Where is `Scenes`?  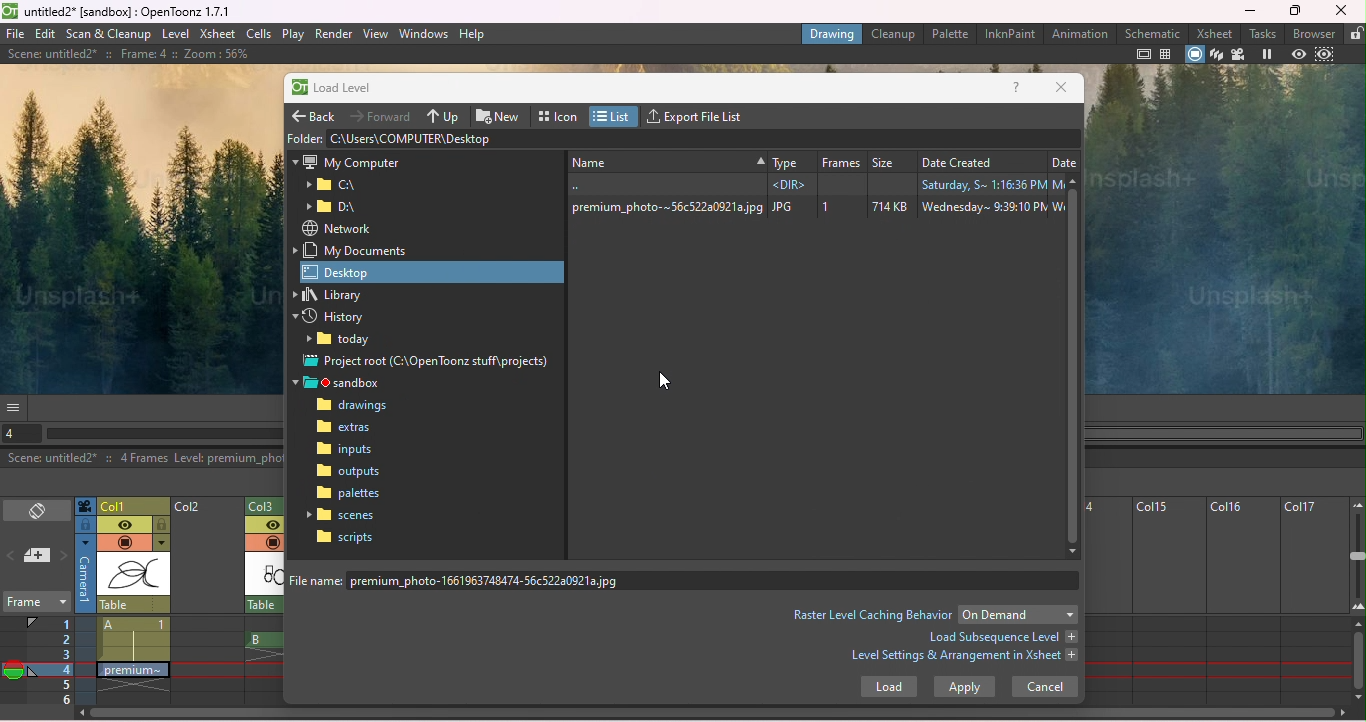 Scenes is located at coordinates (345, 514).